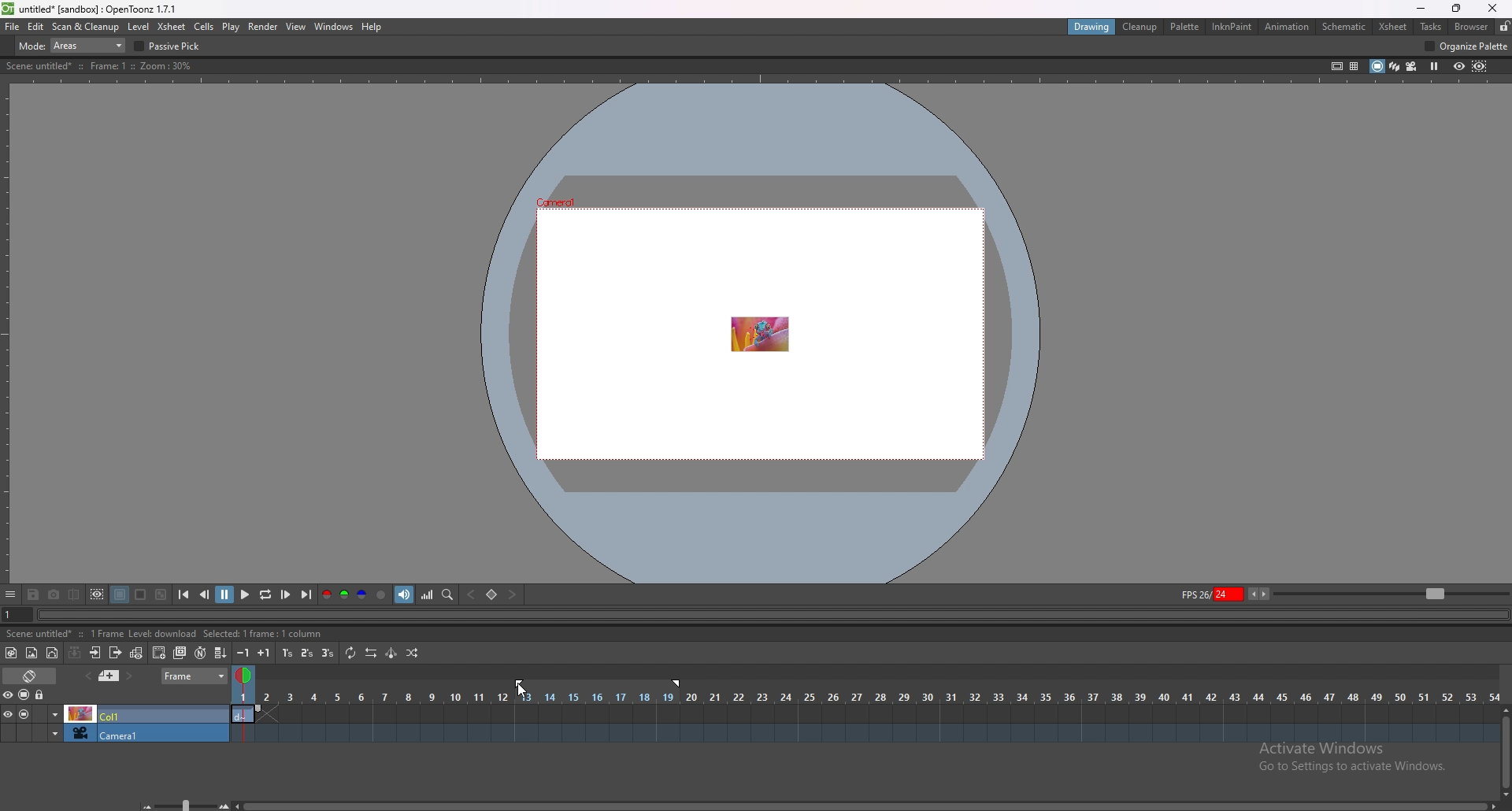 This screenshot has height=811, width=1512. Describe the element at coordinates (863, 733) in the screenshot. I see `timeline` at that location.